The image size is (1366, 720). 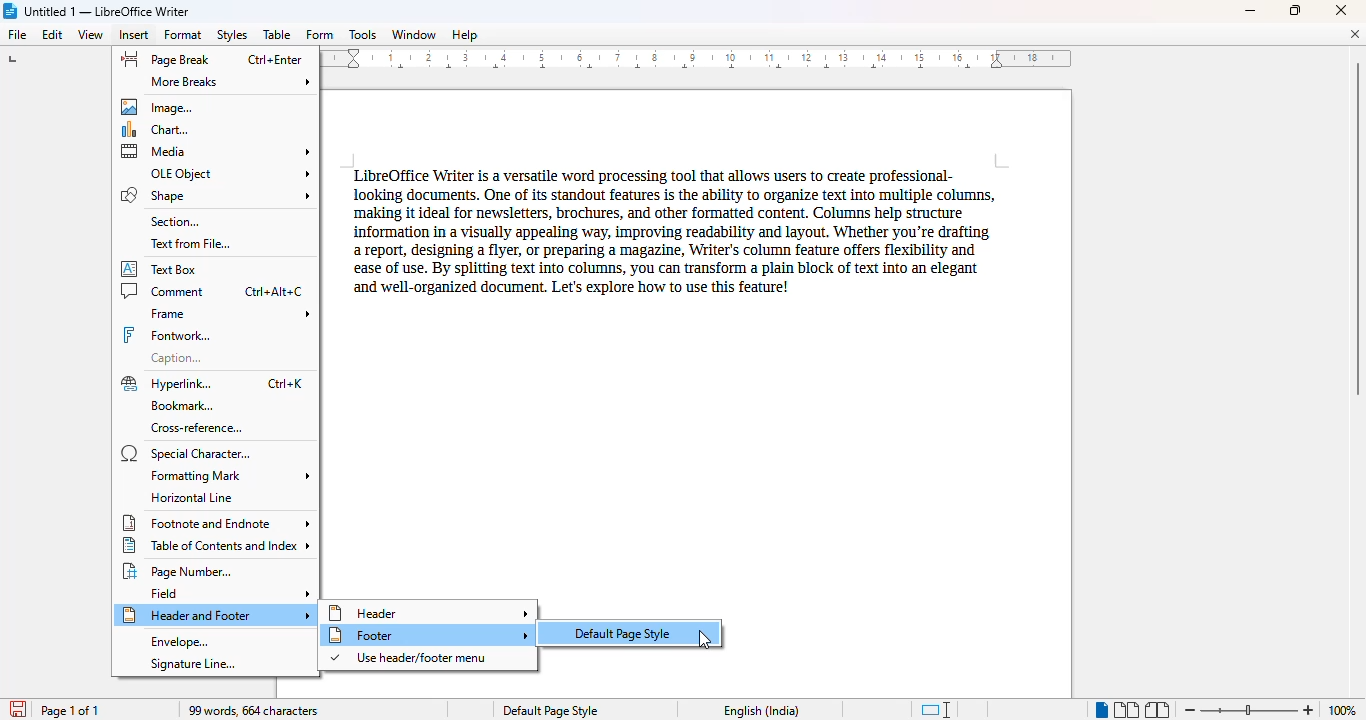 I want to click on LibreOffice logo, so click(x=11, y=10).